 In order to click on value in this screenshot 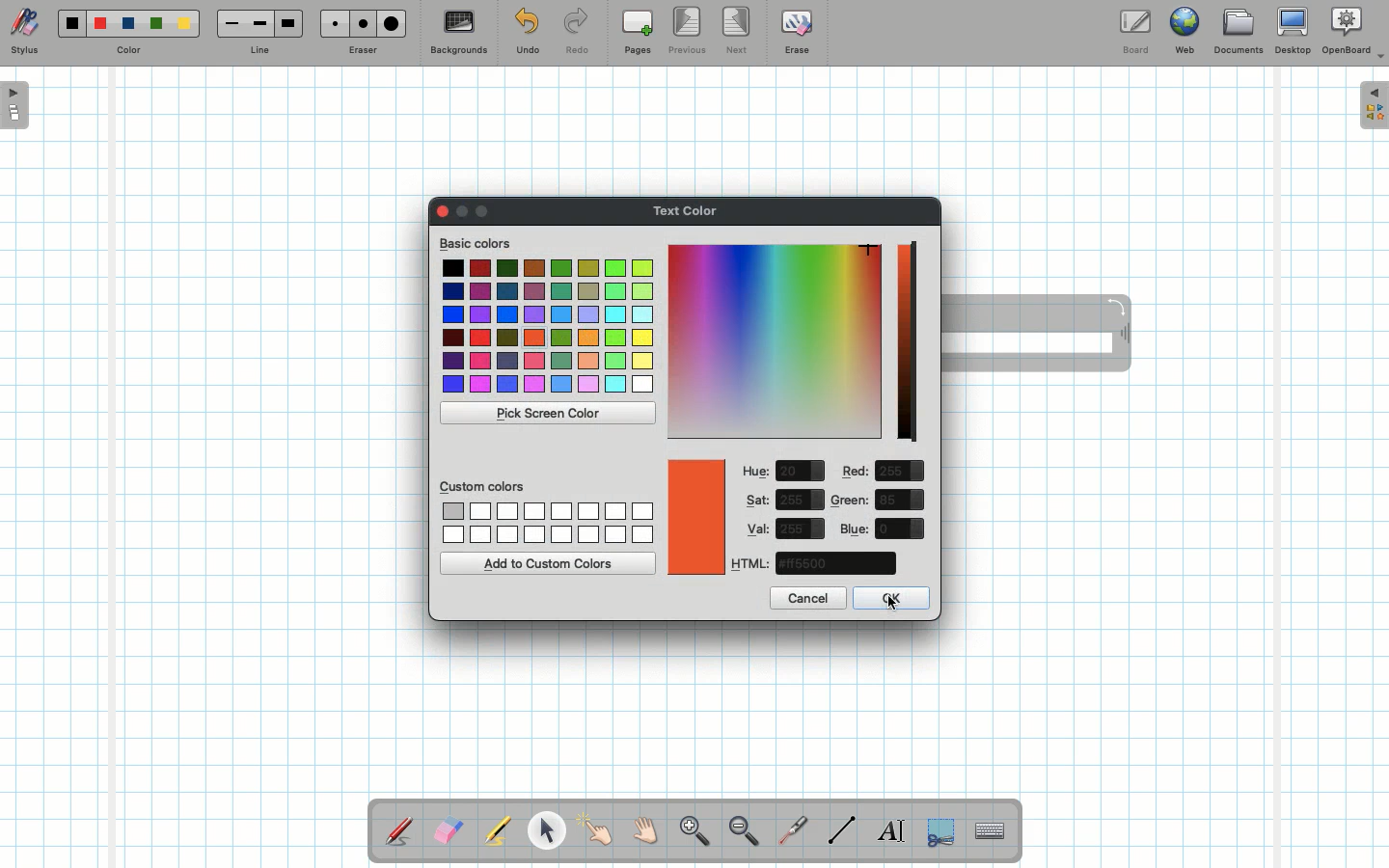, I will do `click(801, 472)`.